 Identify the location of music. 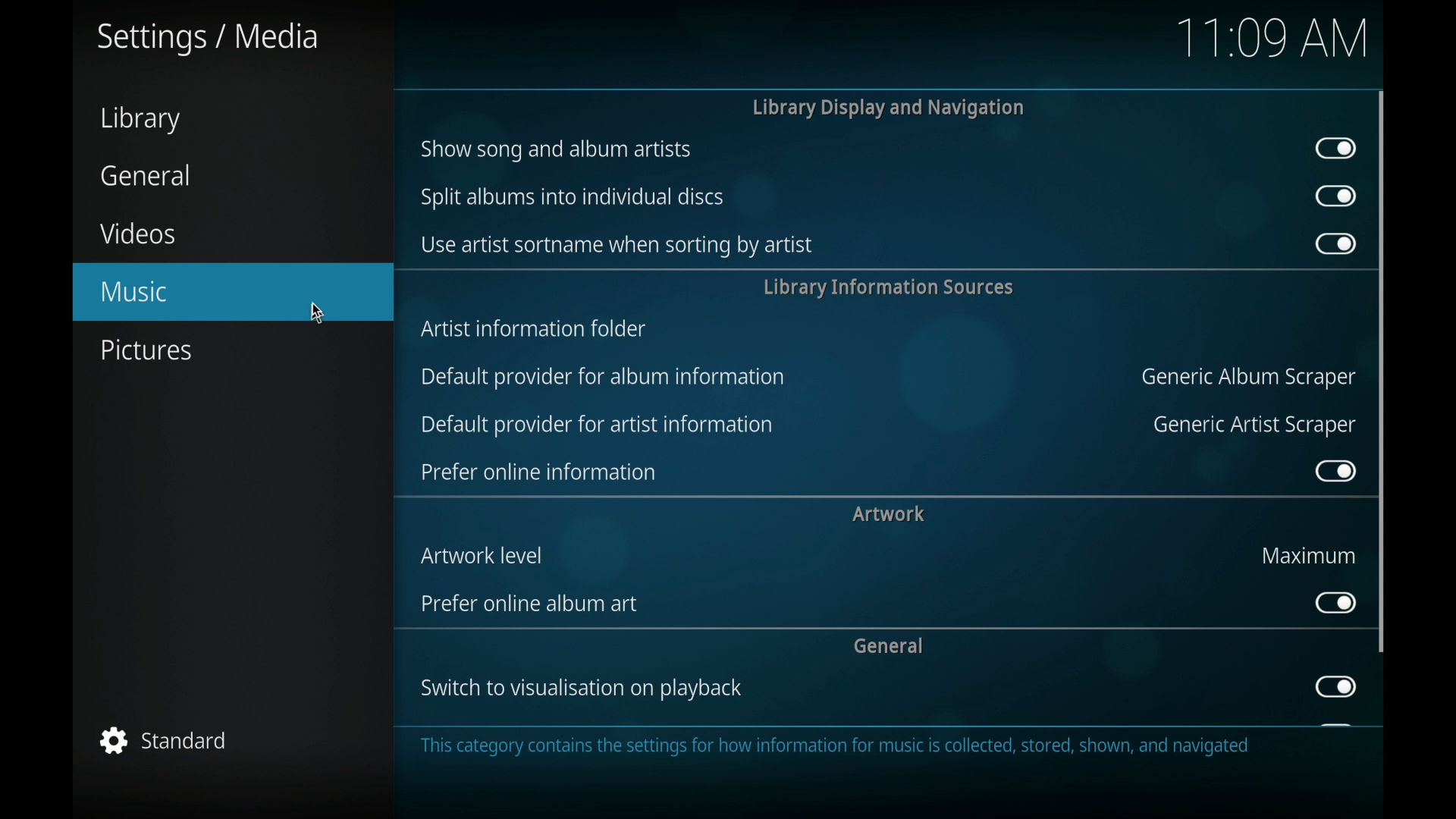
(233, 291).